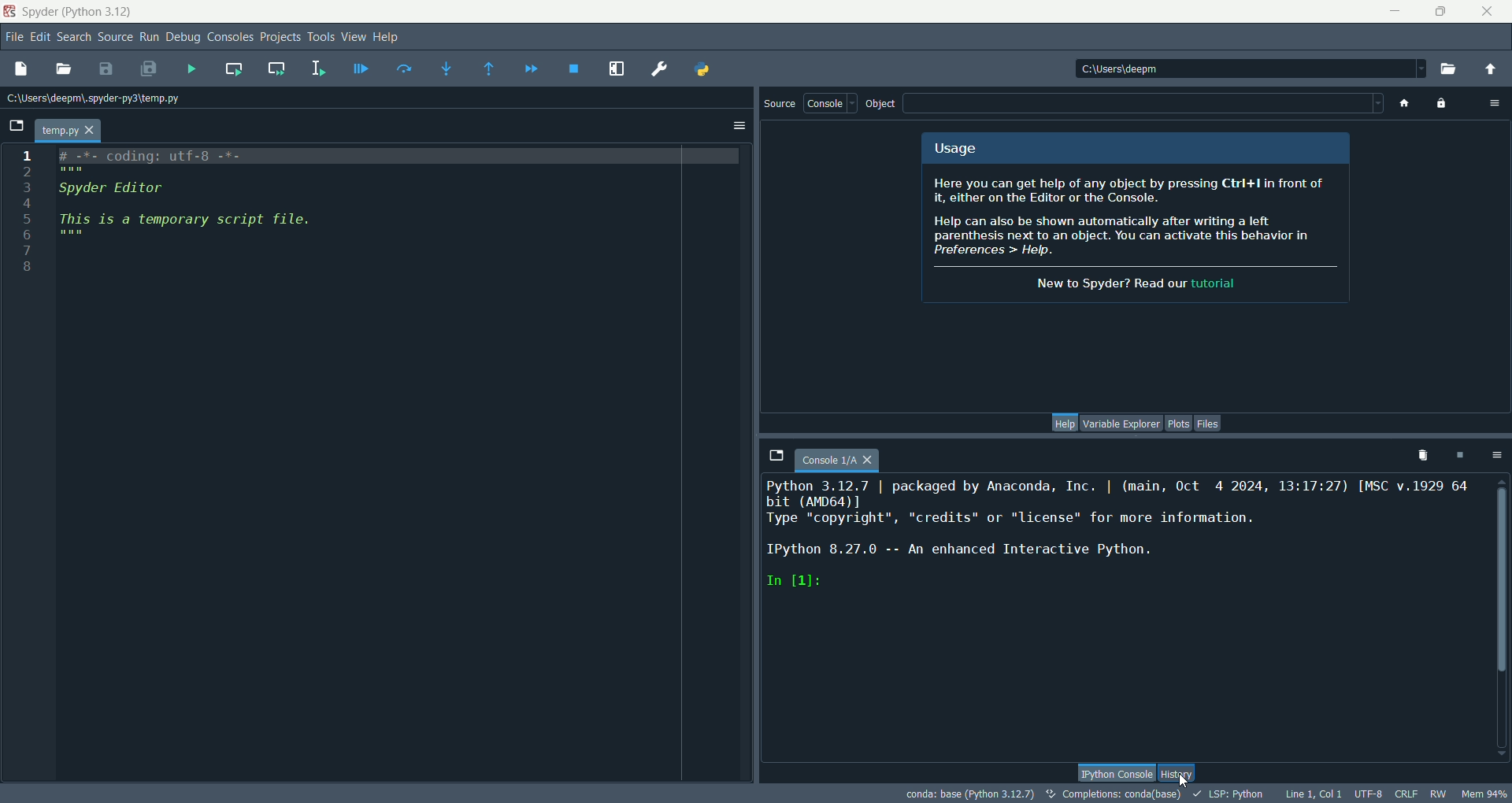 This screenshot has height=803, width=1512. I want to click on cursor, so click(1183, 779).